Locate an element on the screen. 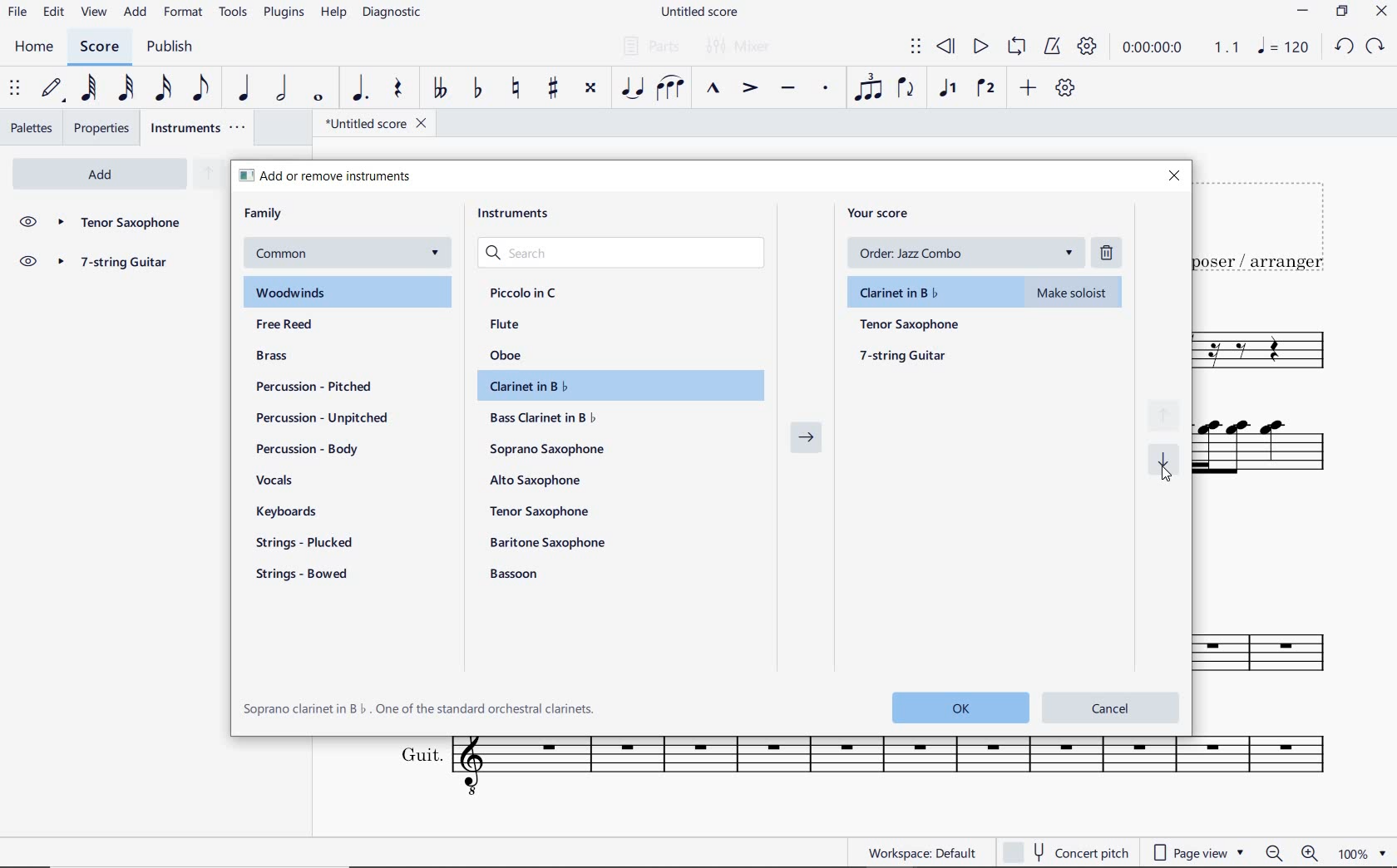 This screenshot has width=1397, height=868. workspace default is located at coordinates (921, 852).